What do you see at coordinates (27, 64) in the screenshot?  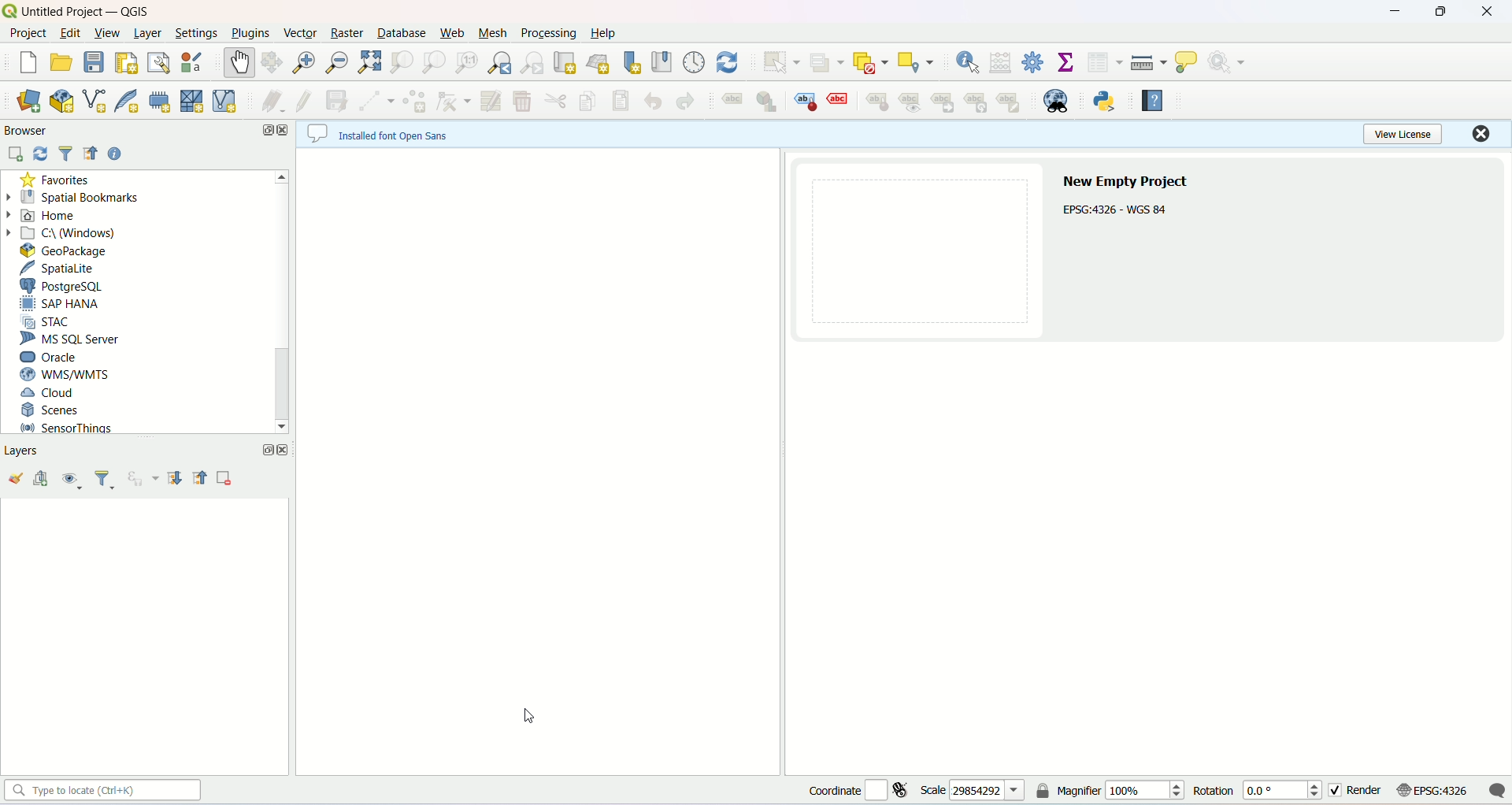 I see `new` at bounding box center [27, 64].